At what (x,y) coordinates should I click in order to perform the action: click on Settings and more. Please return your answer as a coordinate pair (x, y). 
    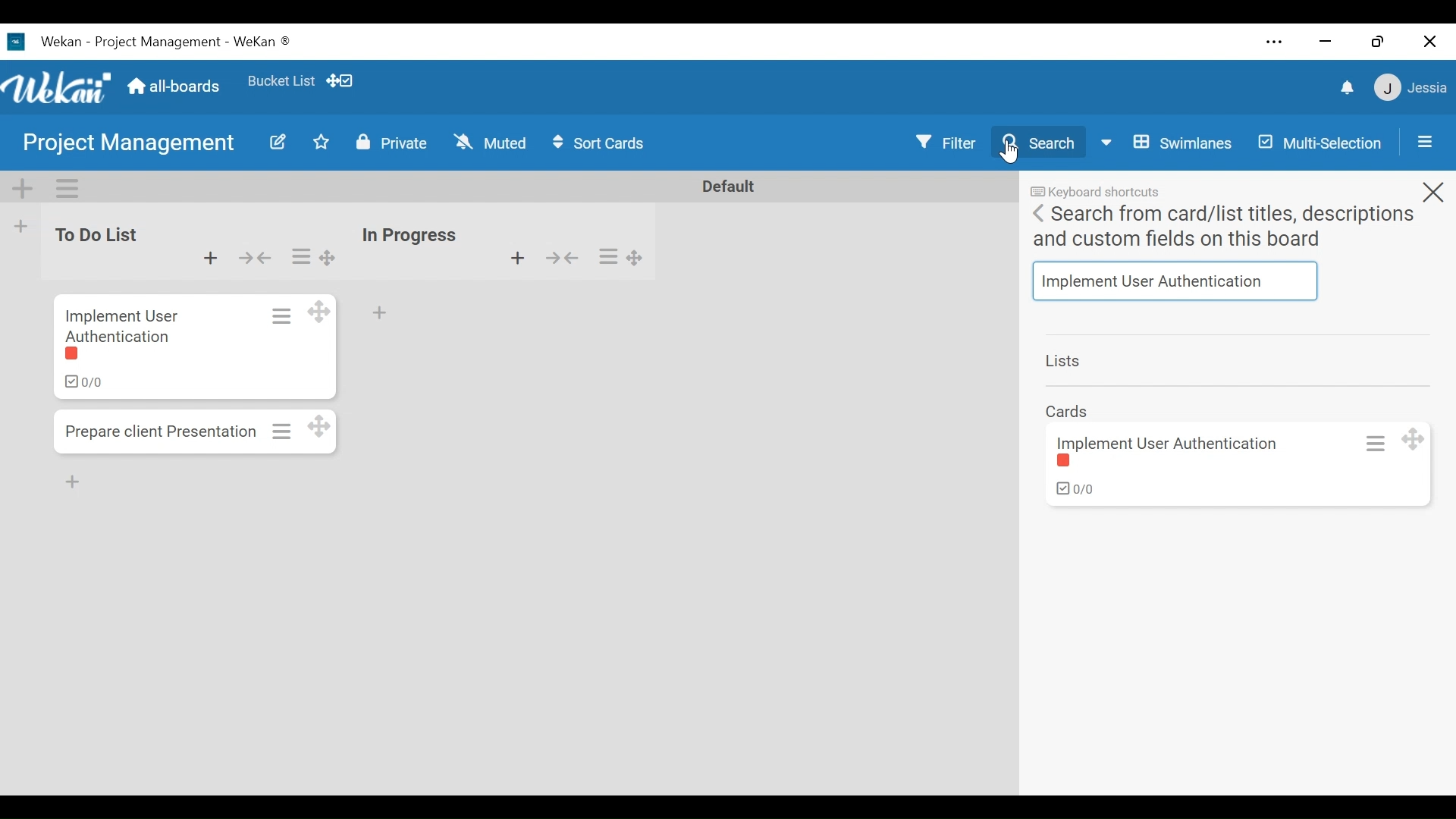
    Looking at the image, I should click on (1275, 43).